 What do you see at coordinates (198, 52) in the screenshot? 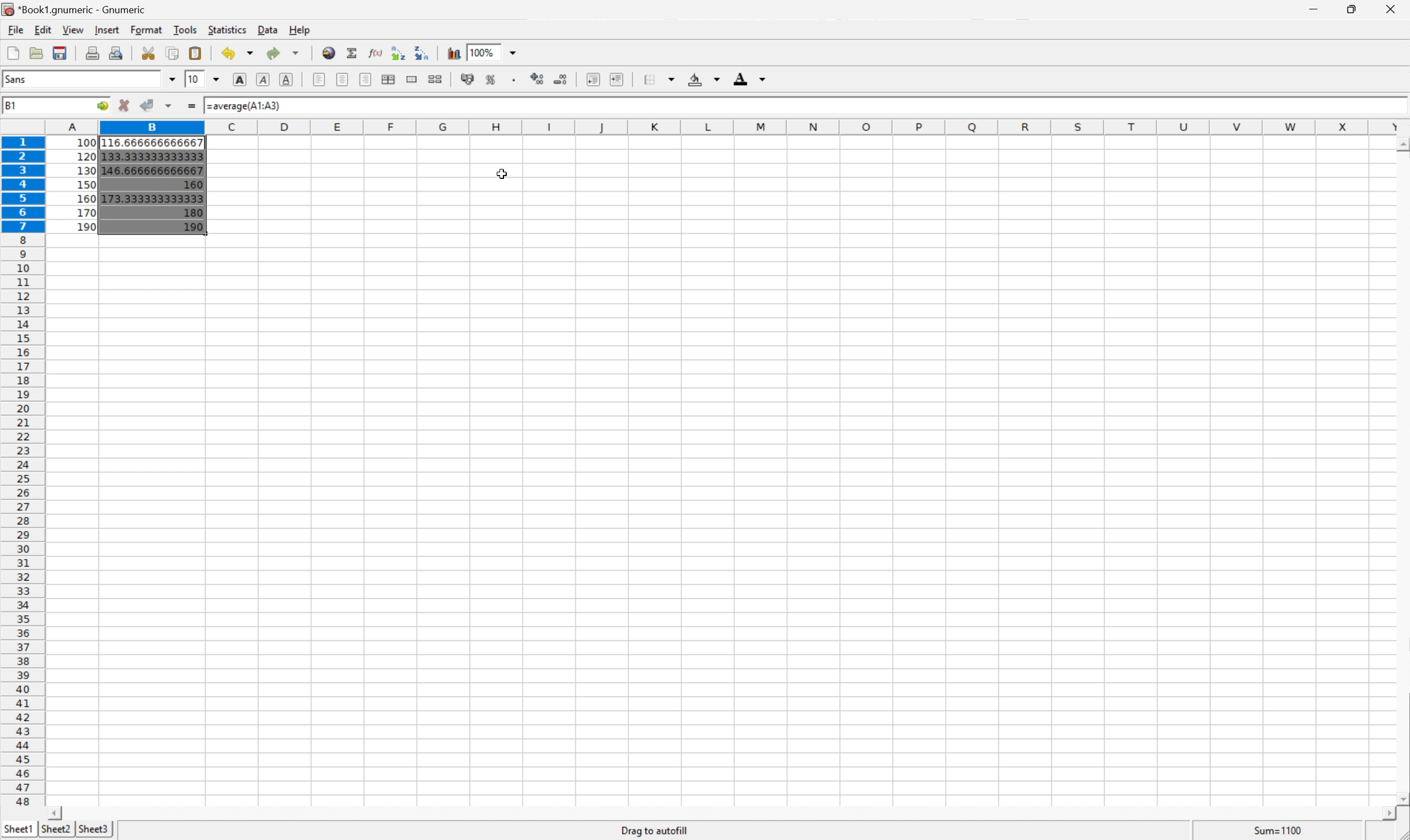
I see `Paste the clipboard` at bounding box center [198, 52].